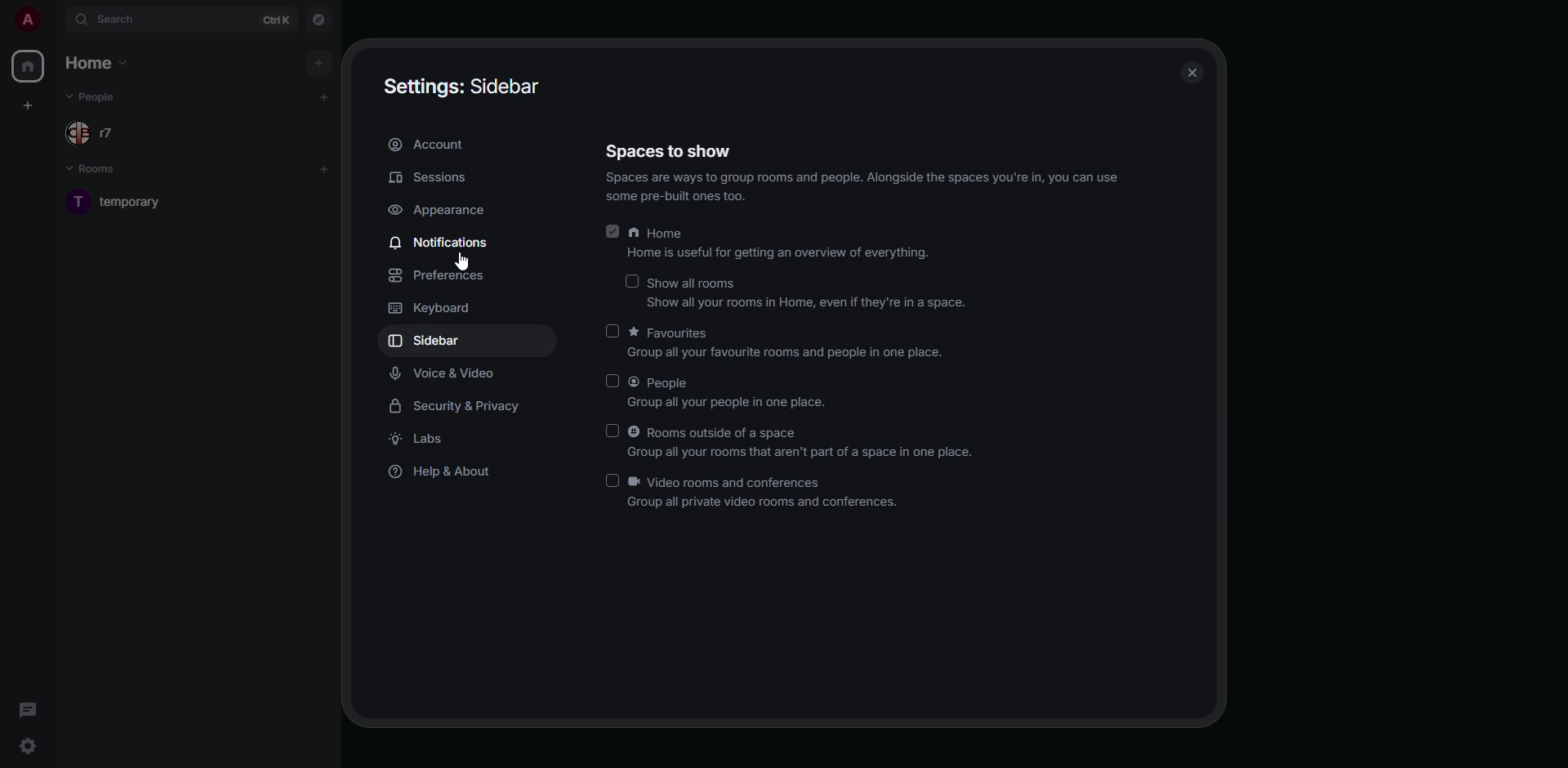 The height and width of the screenshot is (768, 1568). Describe the element at coordinates (443, 473) in the screenshot. I see `help & about` at that location.